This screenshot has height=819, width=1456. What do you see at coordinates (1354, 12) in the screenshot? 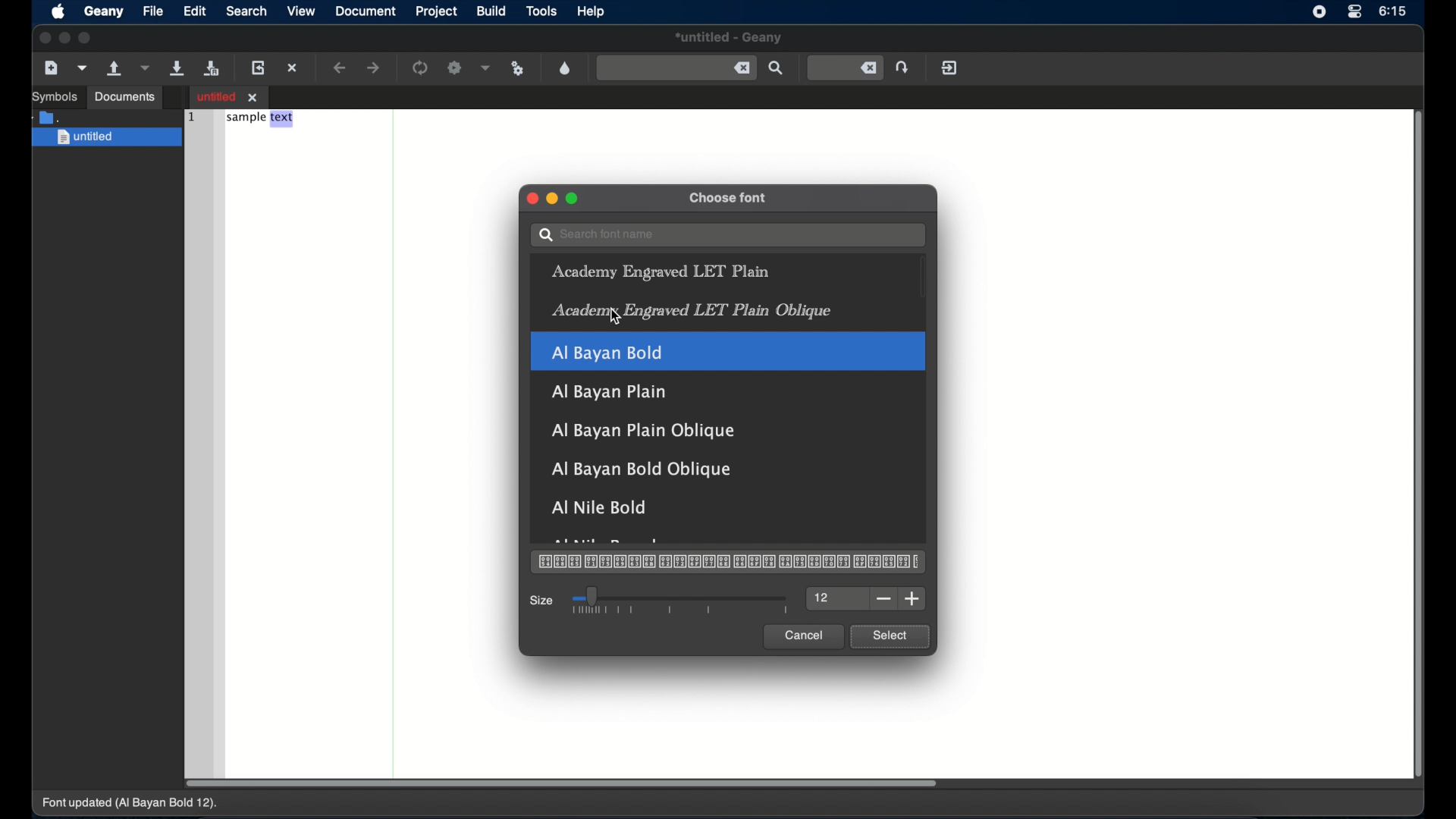
I see `control center` at bounding box center [1354, 12].